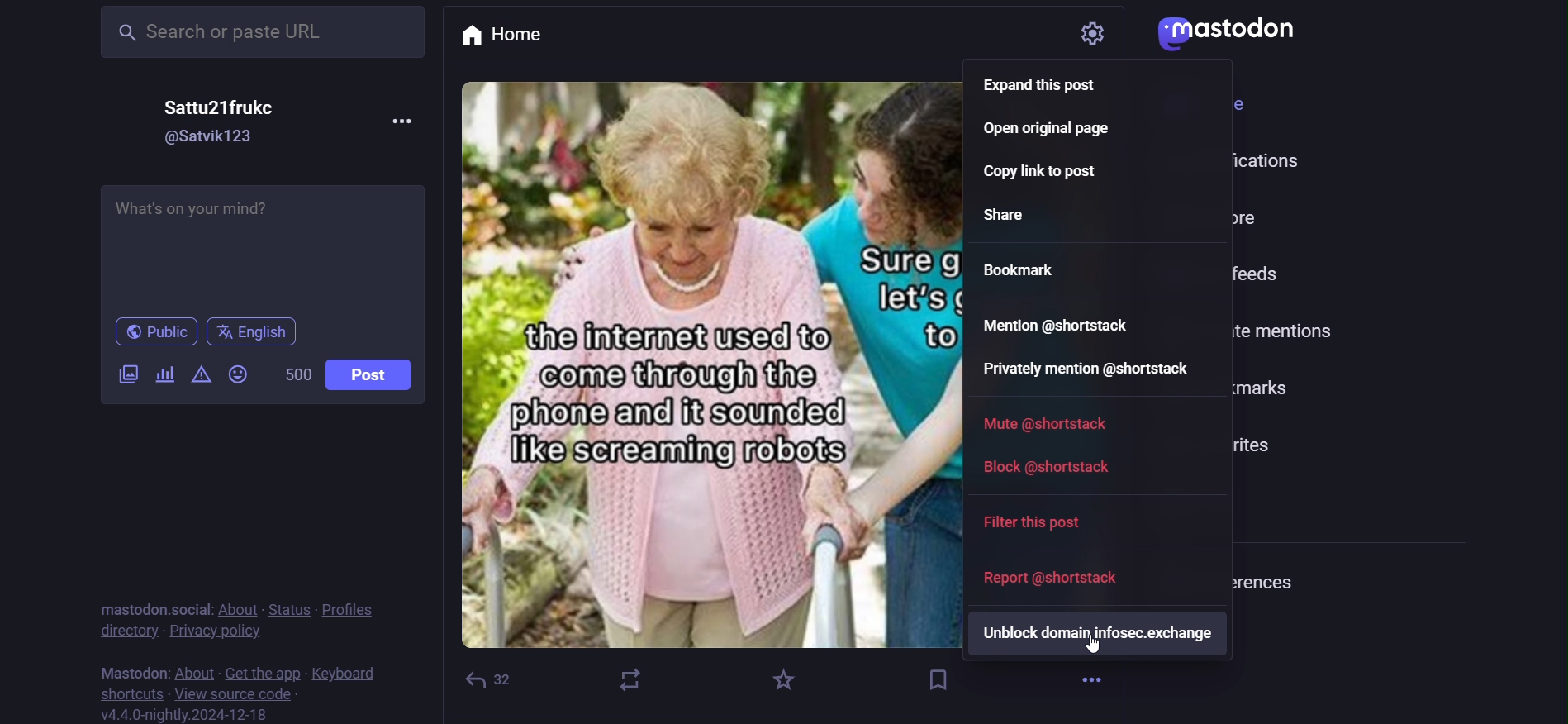 The width and height of the screenshot is (1568, 724). Describe the element at coordinates (1038, 87) in the screenshot. I see `expand this post` at that location.